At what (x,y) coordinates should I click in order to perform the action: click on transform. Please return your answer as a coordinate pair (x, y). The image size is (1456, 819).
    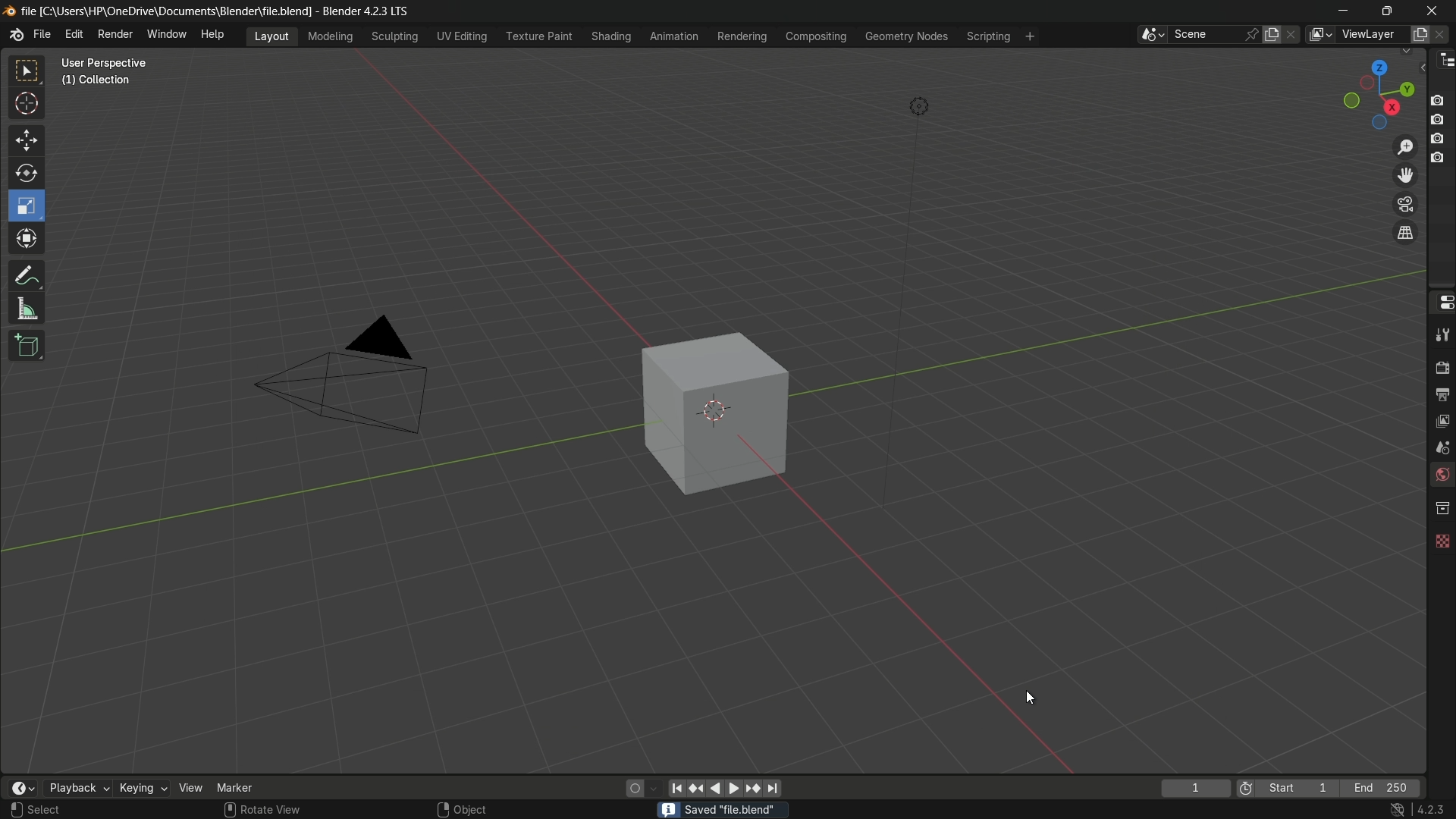
    Looking at the image, I should click on (28, 240).